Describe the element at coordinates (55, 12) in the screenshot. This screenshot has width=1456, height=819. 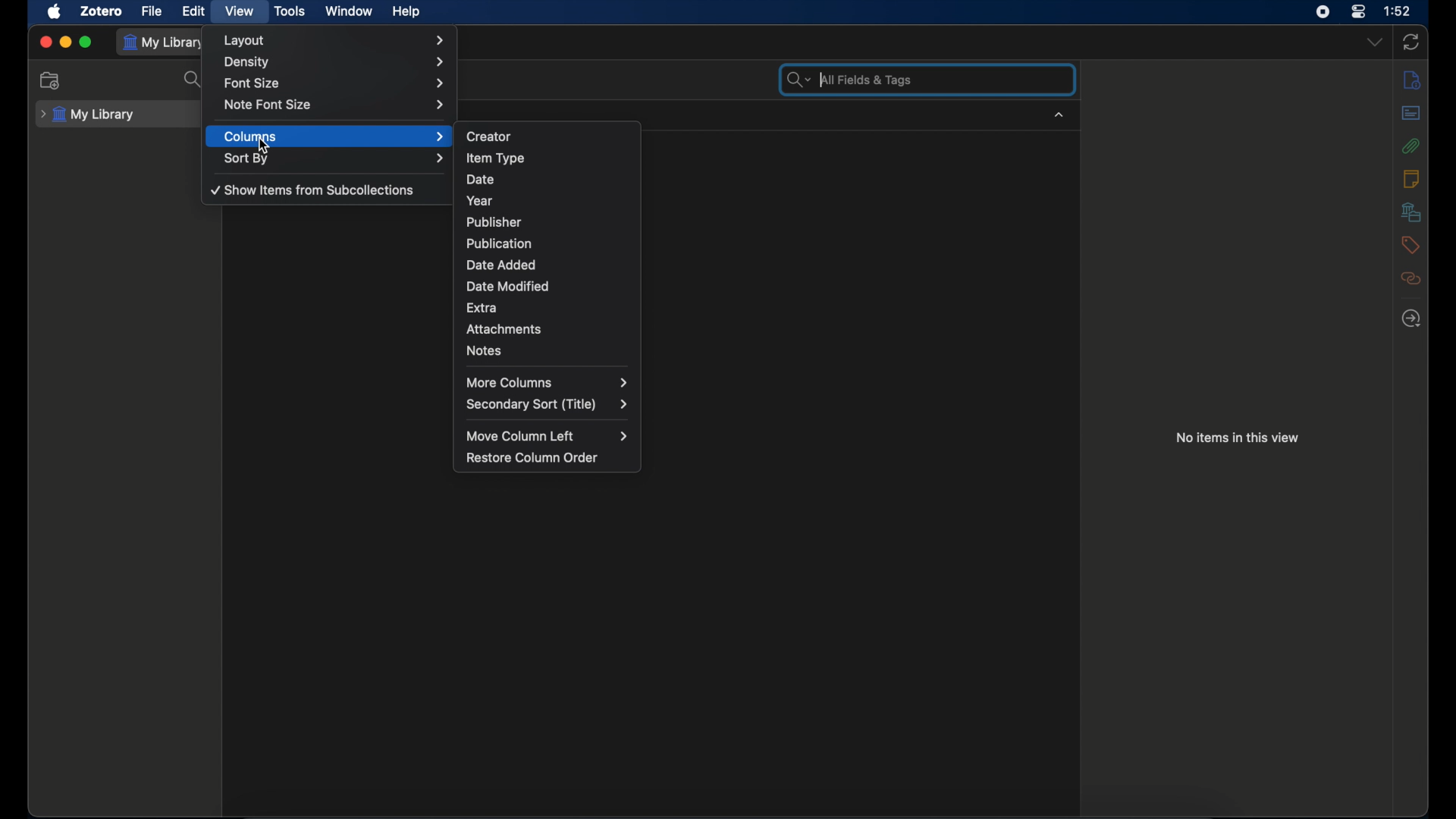
I see `apple icon` at that location.